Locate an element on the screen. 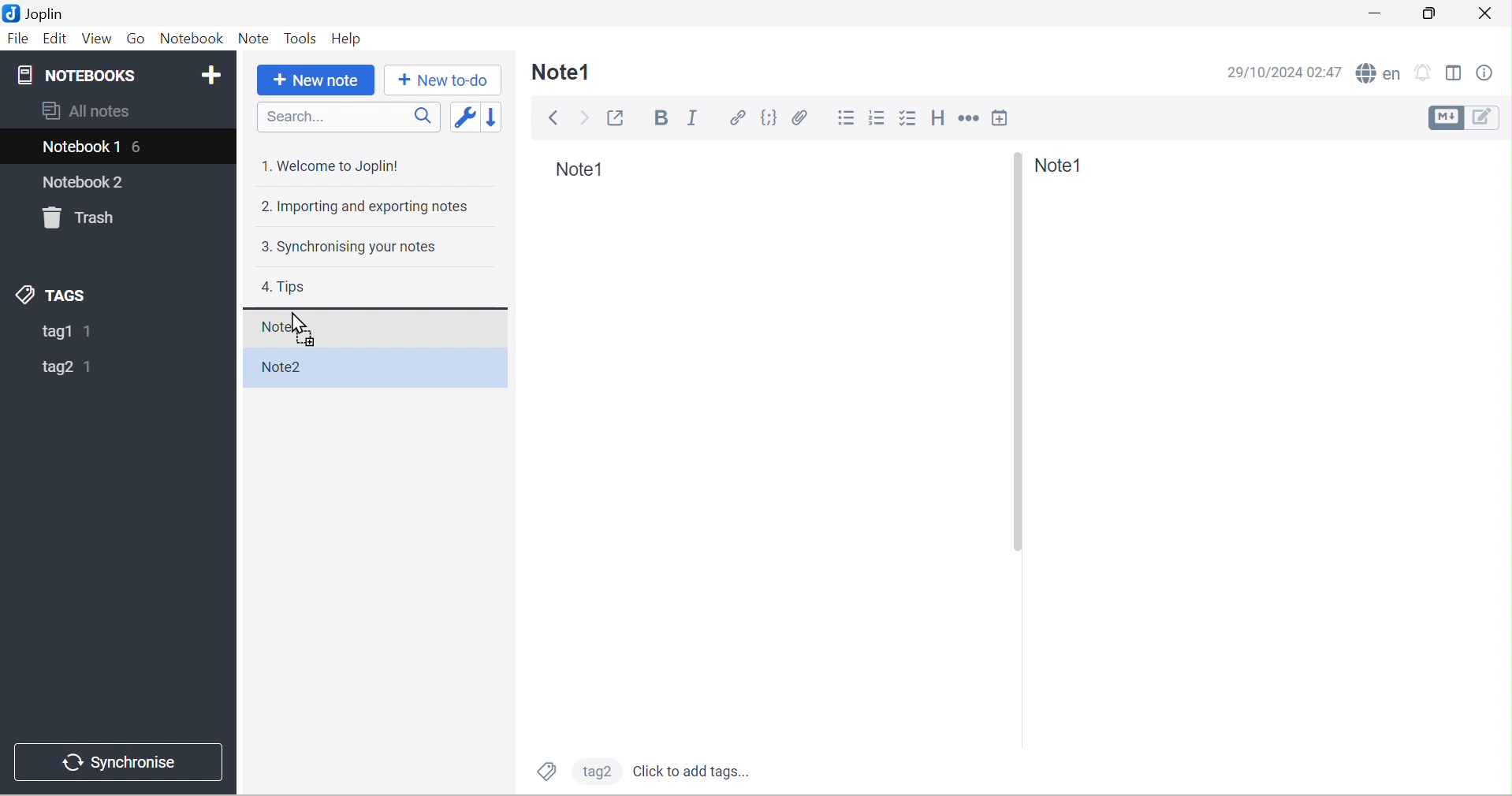 This screenshot has width=1512, height=796. Joplin is located at coordinates (33, 13).